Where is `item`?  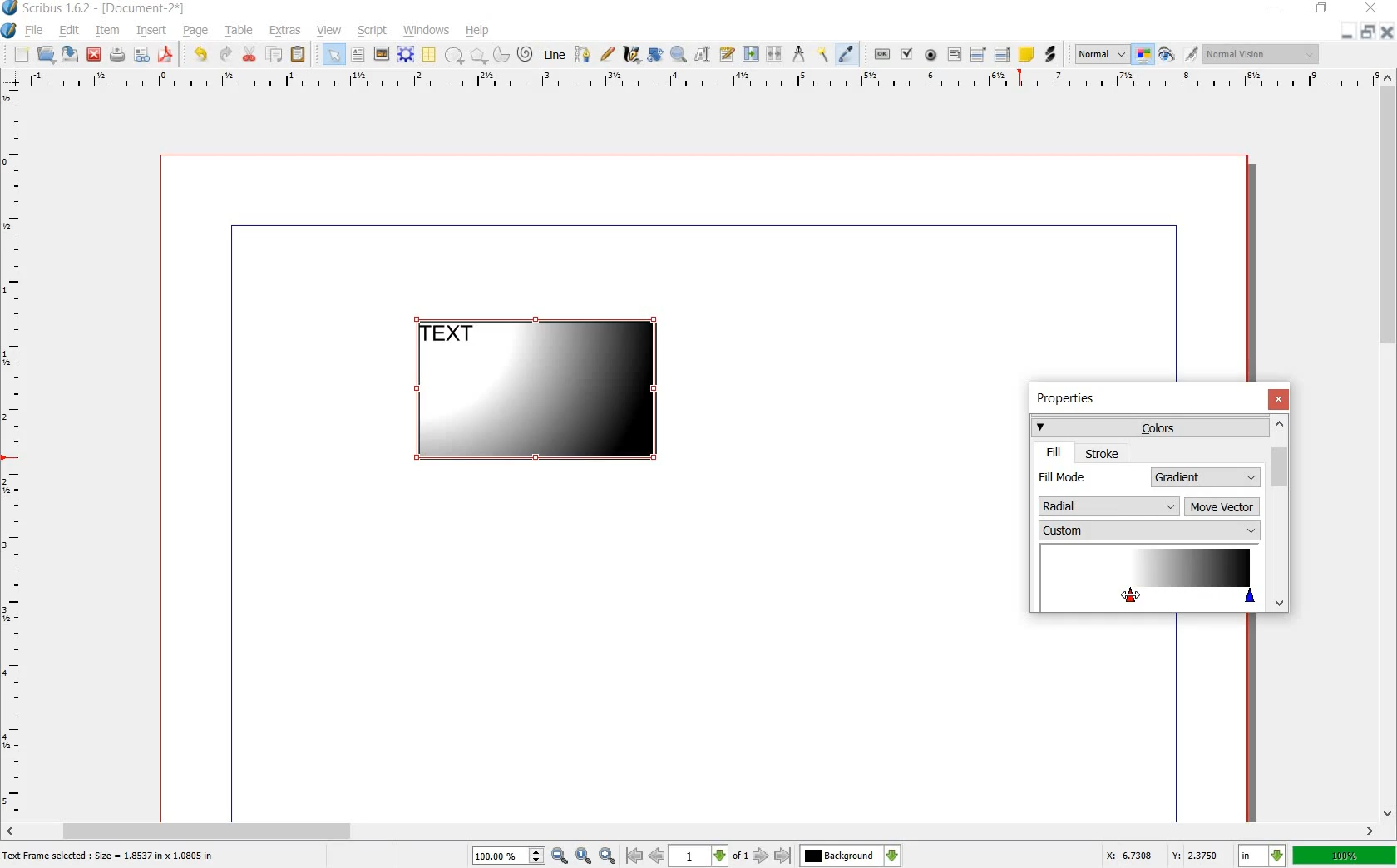 item is located at coordinates (106, 32).